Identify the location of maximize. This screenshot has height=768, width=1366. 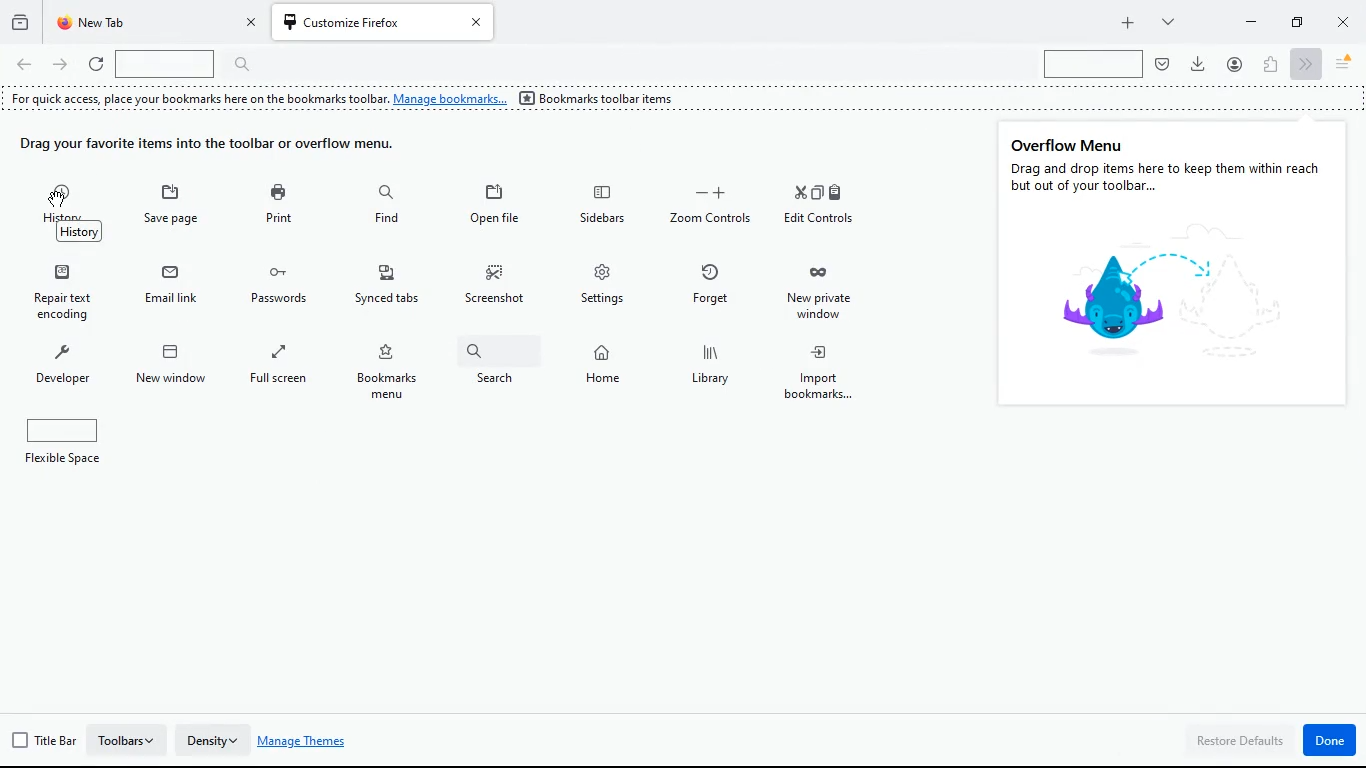
(1294, 21).